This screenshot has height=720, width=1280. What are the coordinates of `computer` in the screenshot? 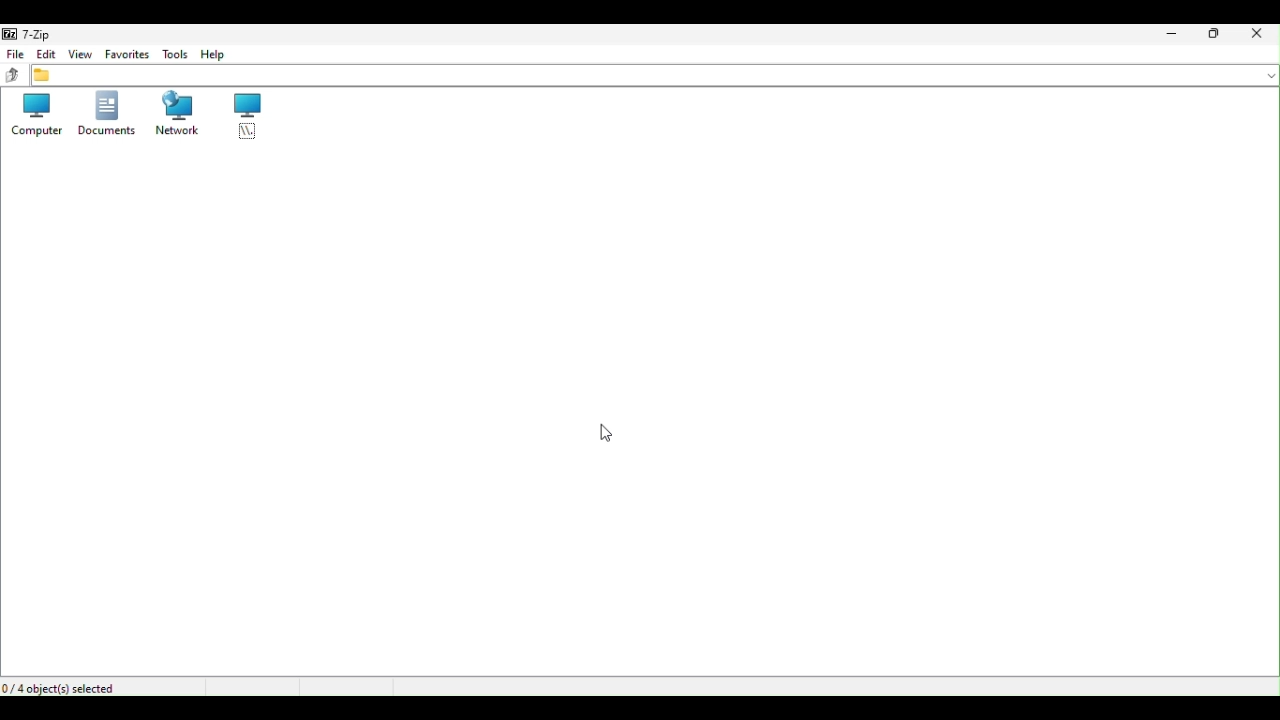 It's located at (36, 120).